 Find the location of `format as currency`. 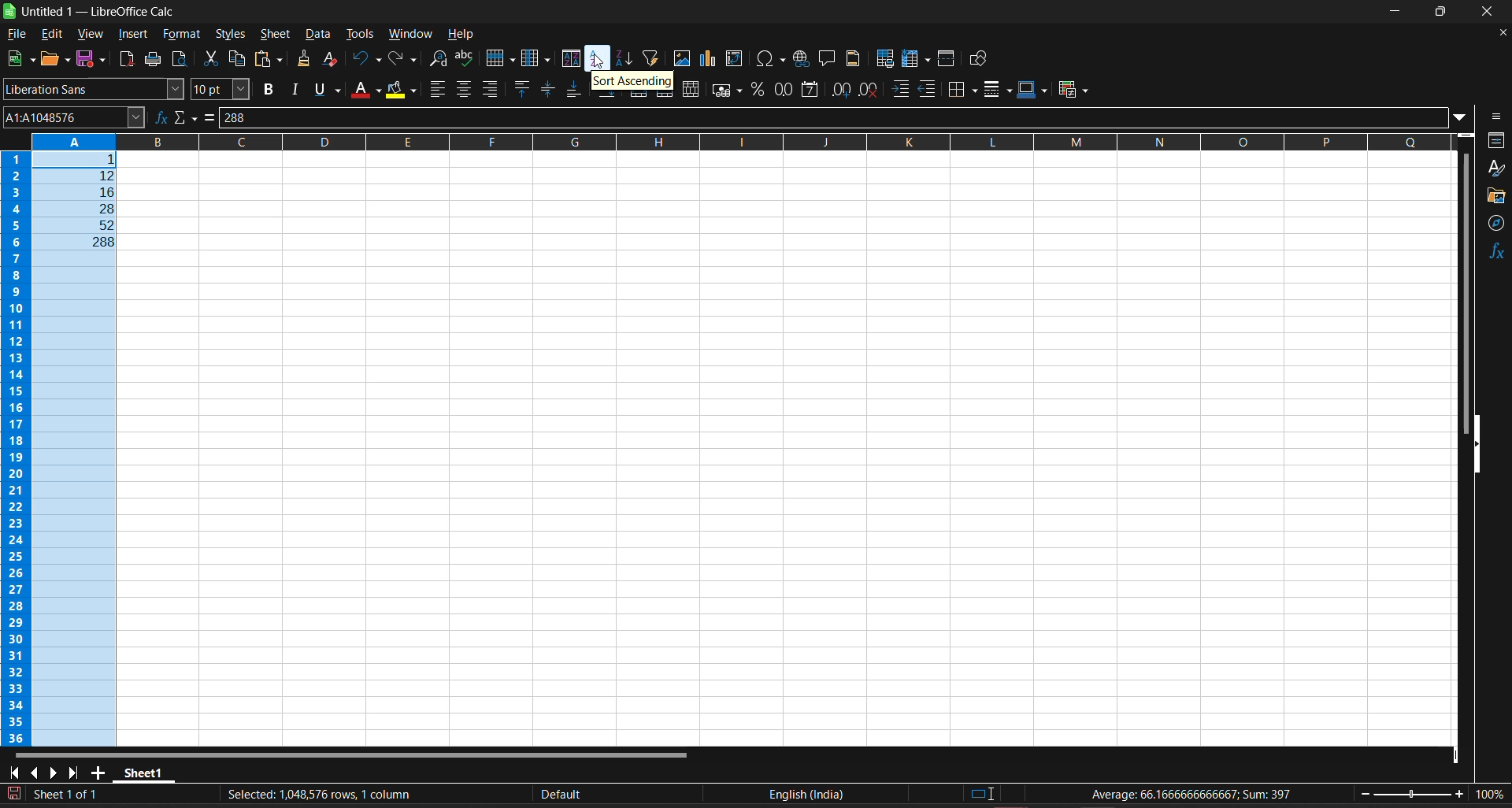

format as currency is located at coordinates (724, 87).